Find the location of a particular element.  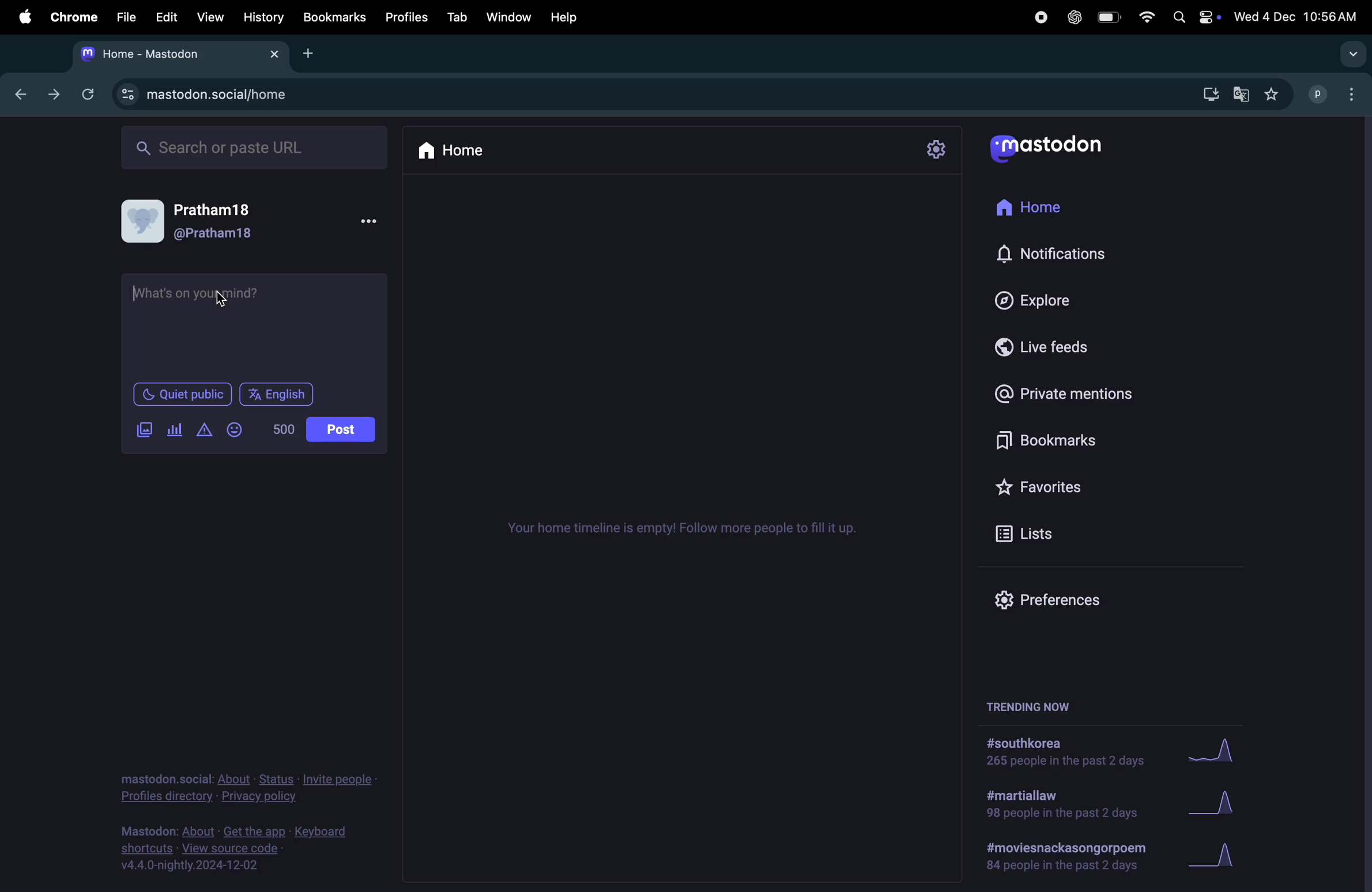

Tab is located at coordinates (457, 17).